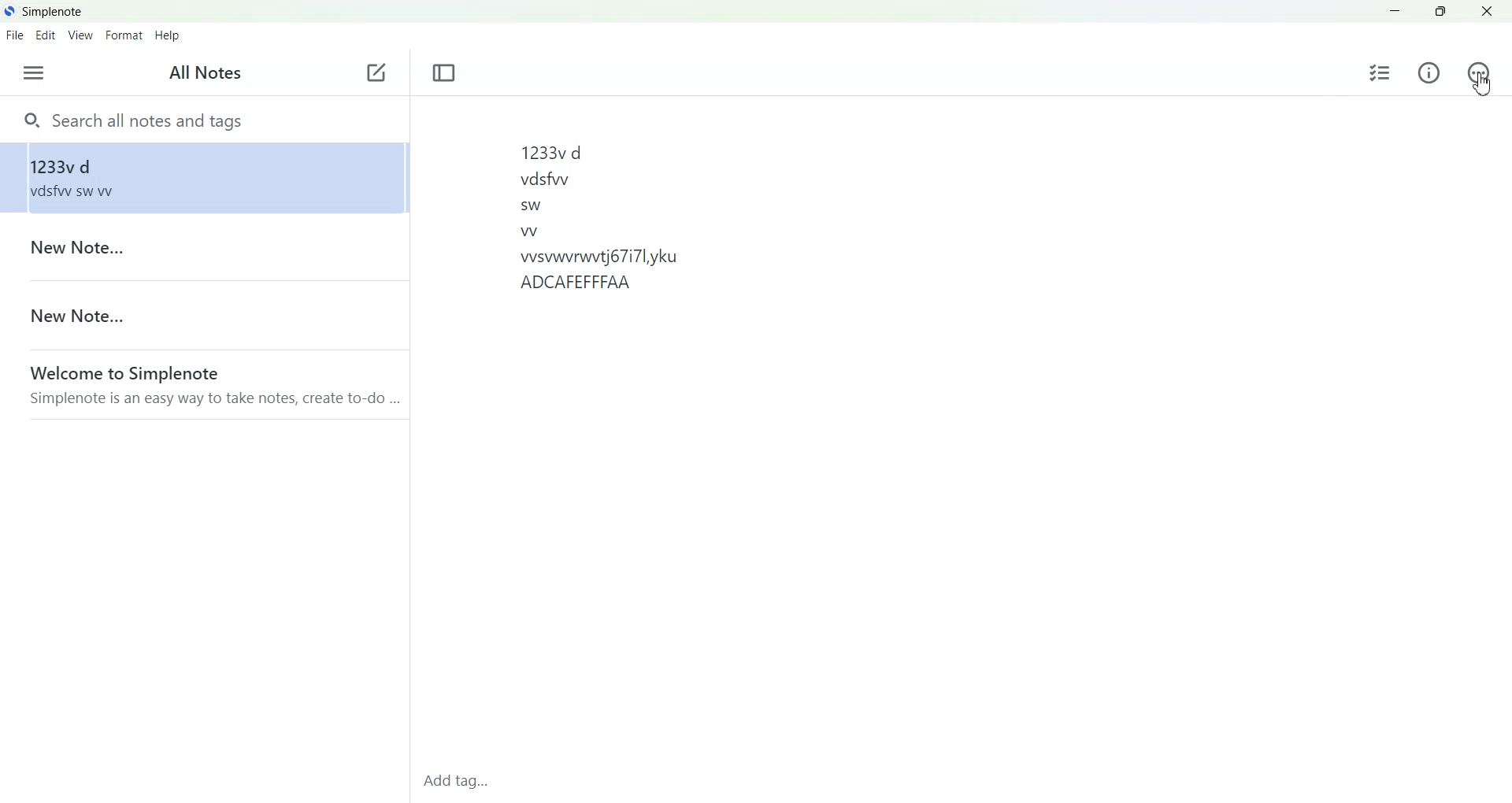  Describe the element at coordinates (1486, 11) in the screenshot. I see `Close` at that location.